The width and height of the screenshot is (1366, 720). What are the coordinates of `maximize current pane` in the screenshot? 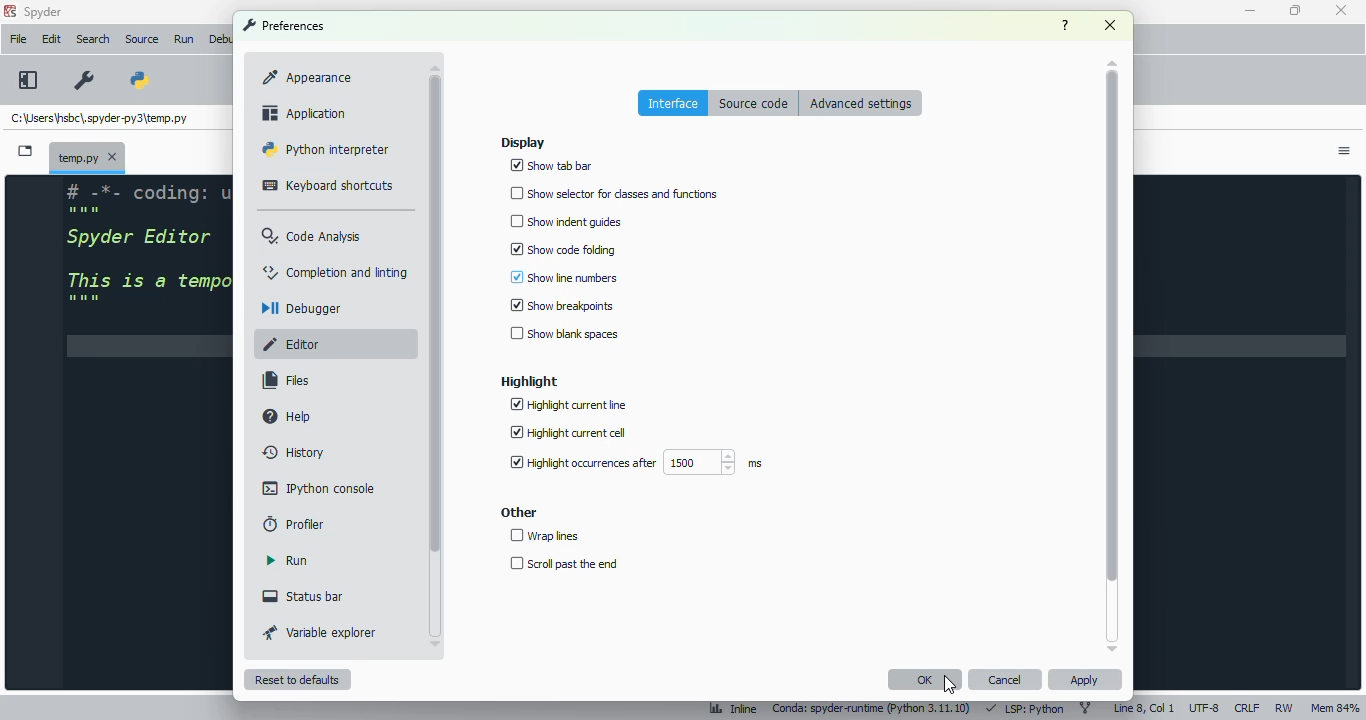 It's located at (28, 79).